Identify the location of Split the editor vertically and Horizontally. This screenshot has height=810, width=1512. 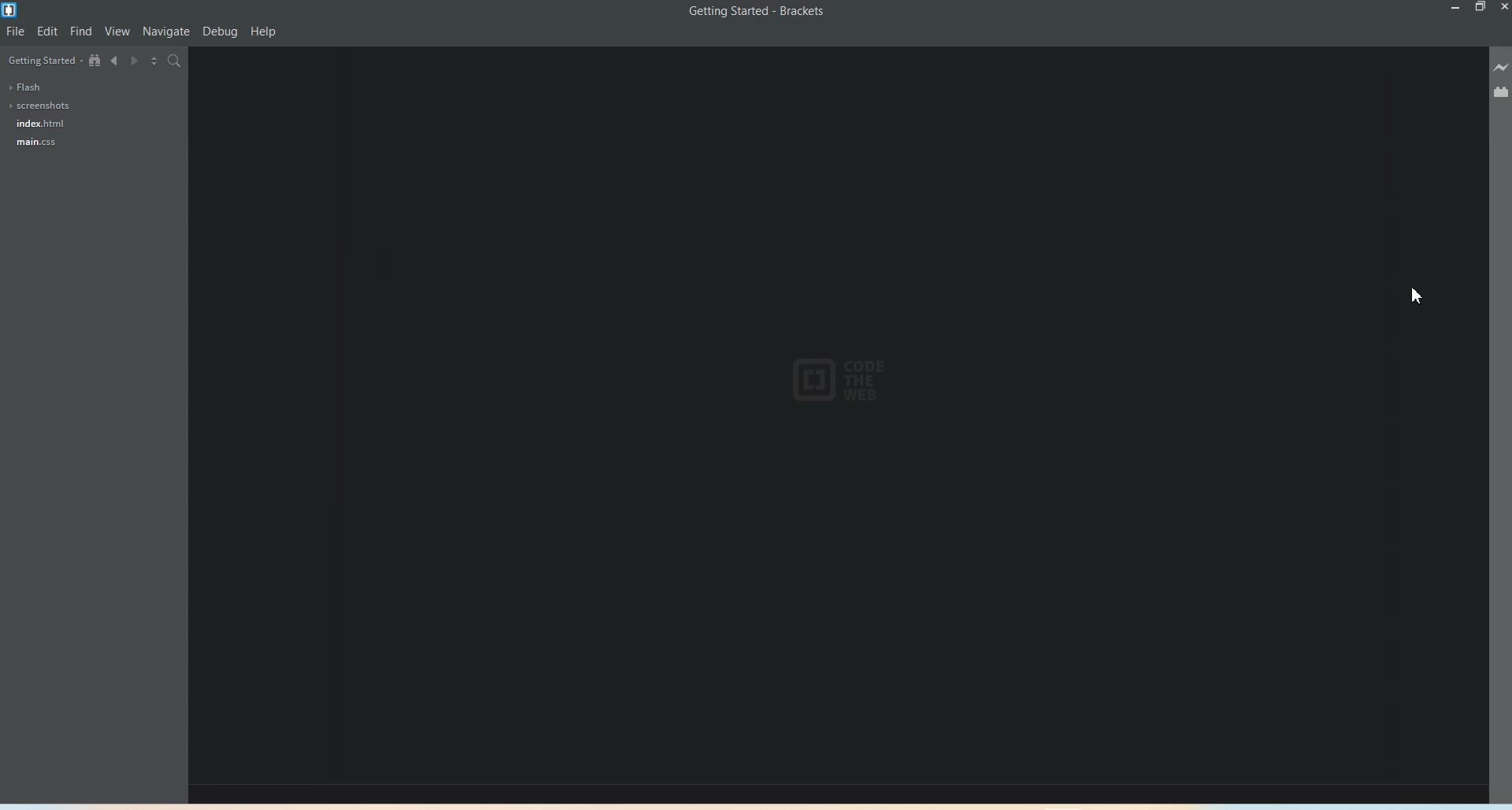
(156, 62).